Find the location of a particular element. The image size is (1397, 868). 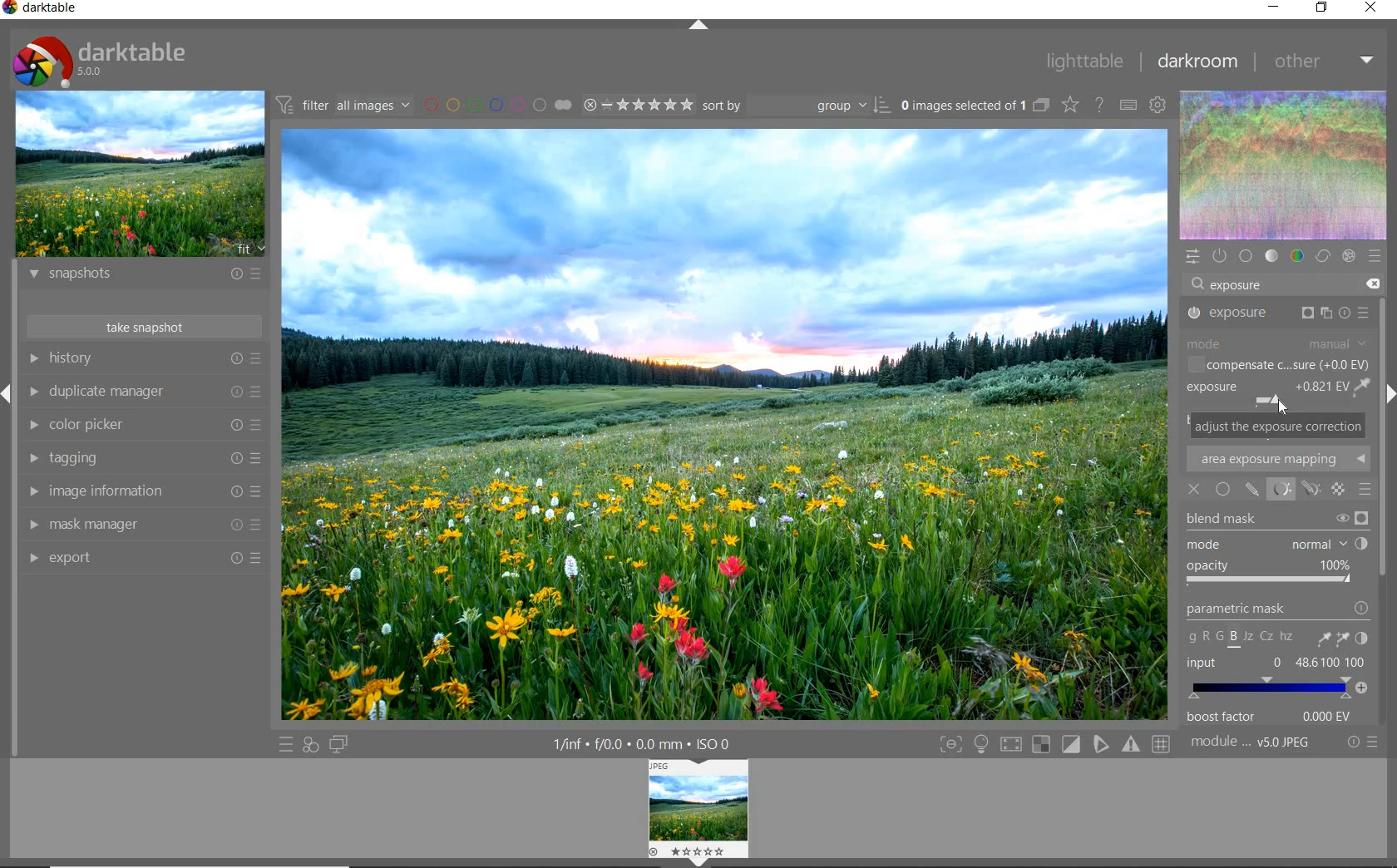

expand grouped images is located at coordinates (975, 106).